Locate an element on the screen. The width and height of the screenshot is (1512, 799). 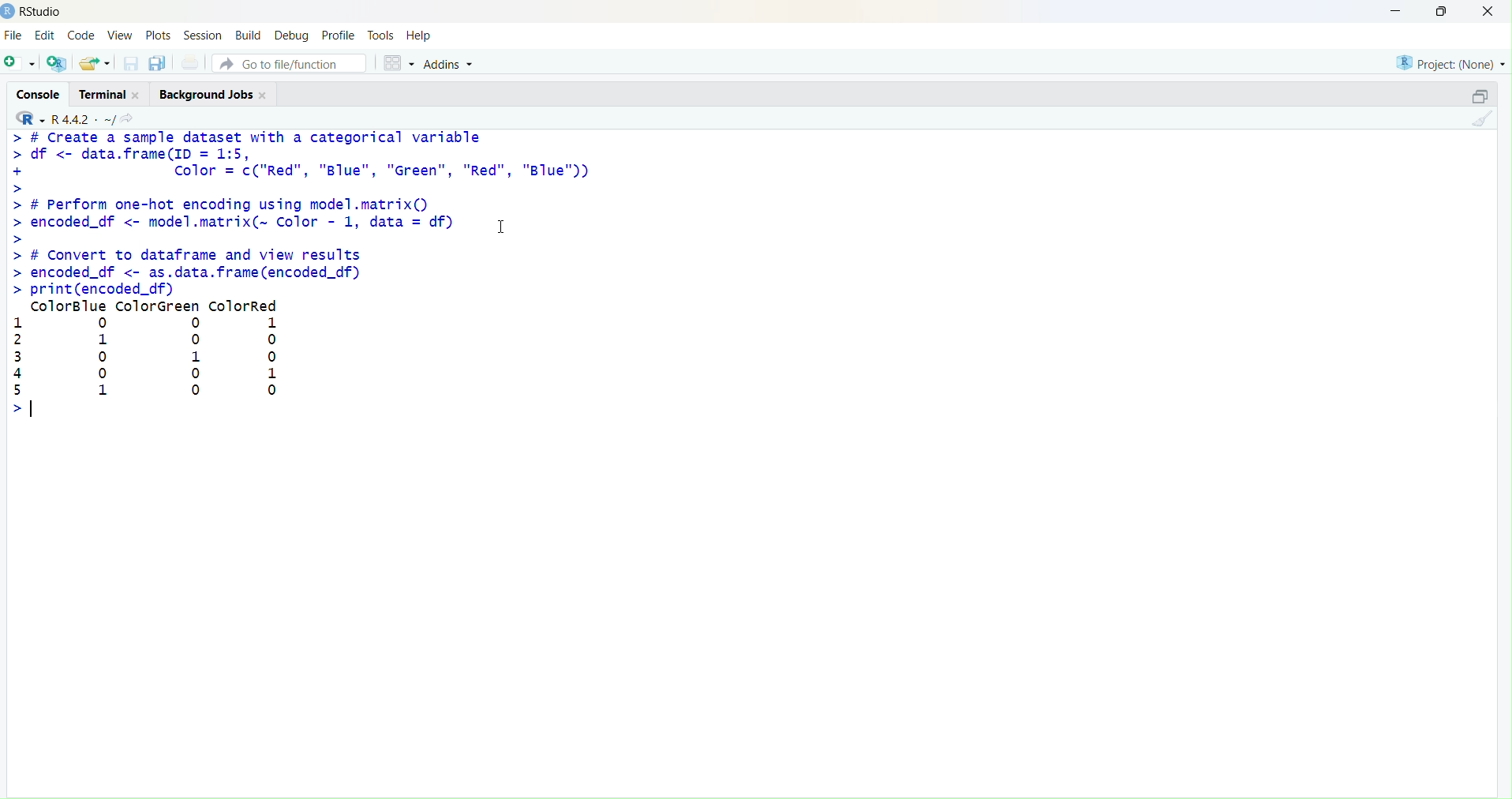
Build  is located at coordinates (250, 35).